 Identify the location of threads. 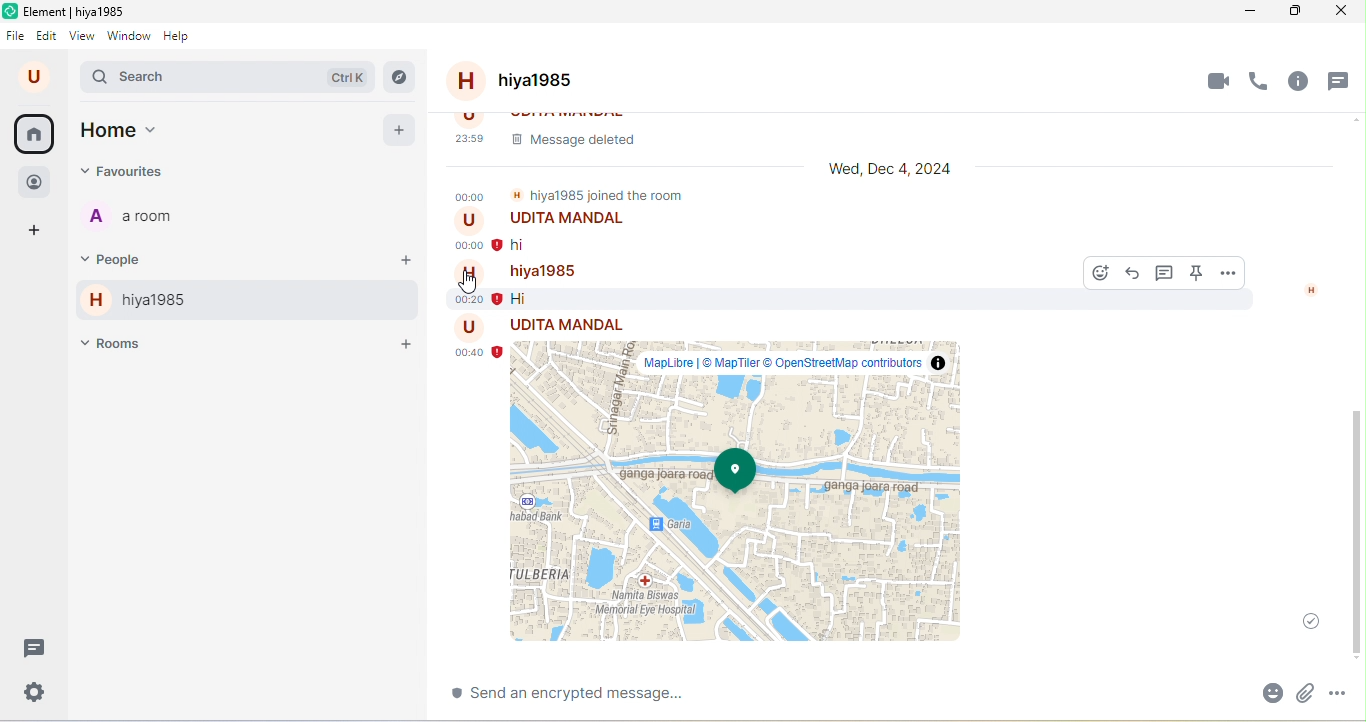
(1343, 77).